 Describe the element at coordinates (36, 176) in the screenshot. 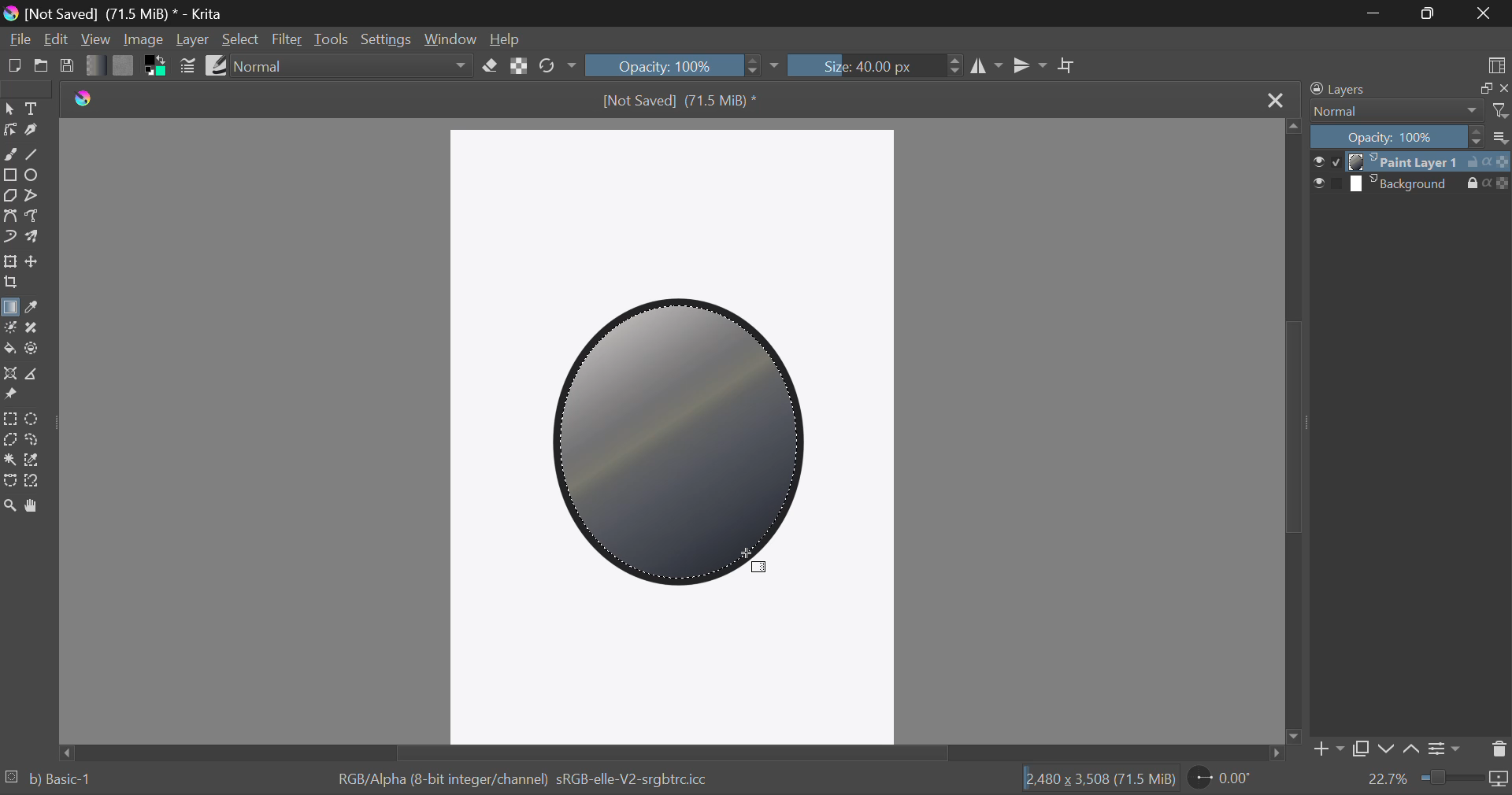

I see `Elipses` at that location.